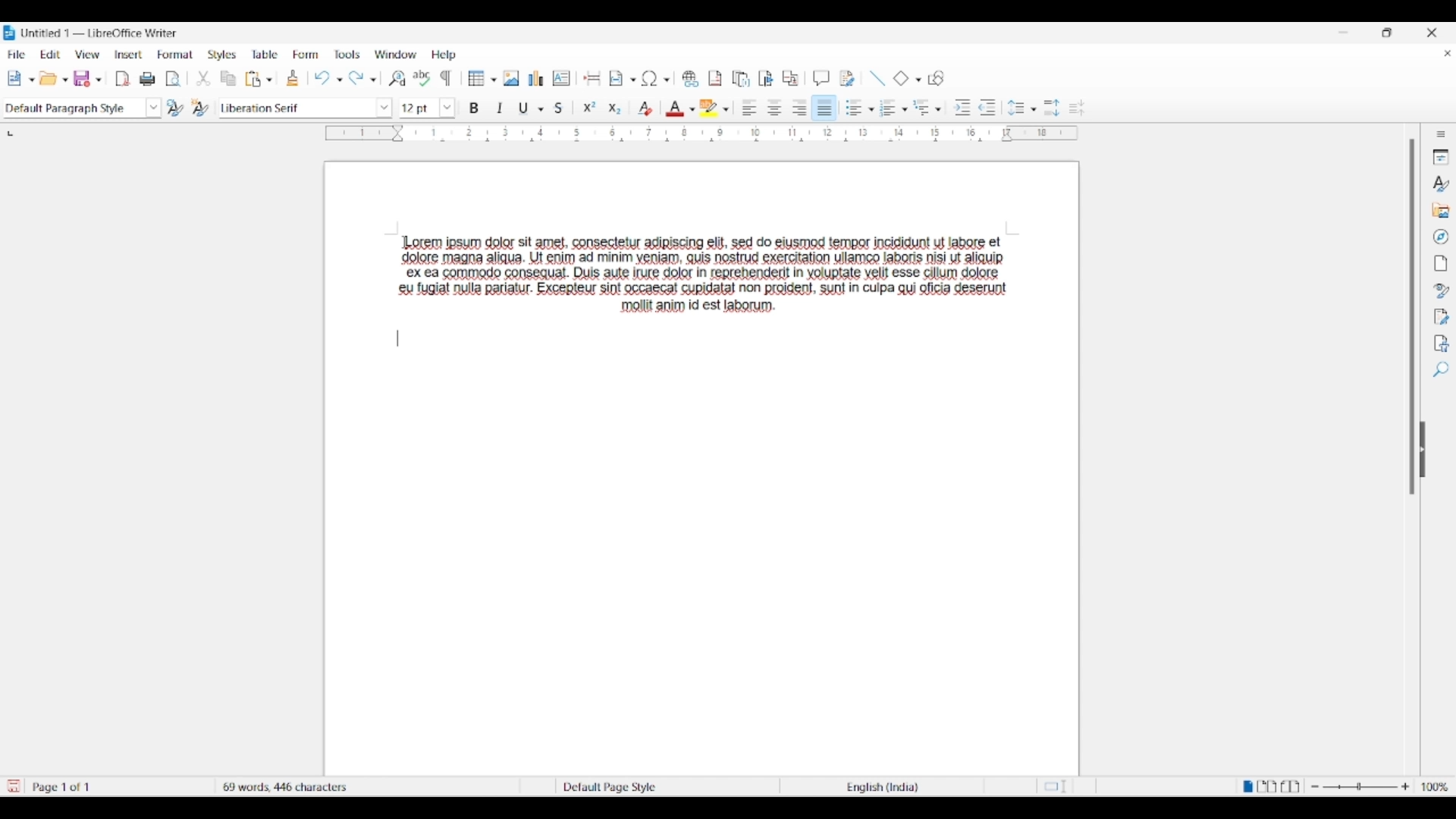  I want to click on Align center, so click(774, 108).